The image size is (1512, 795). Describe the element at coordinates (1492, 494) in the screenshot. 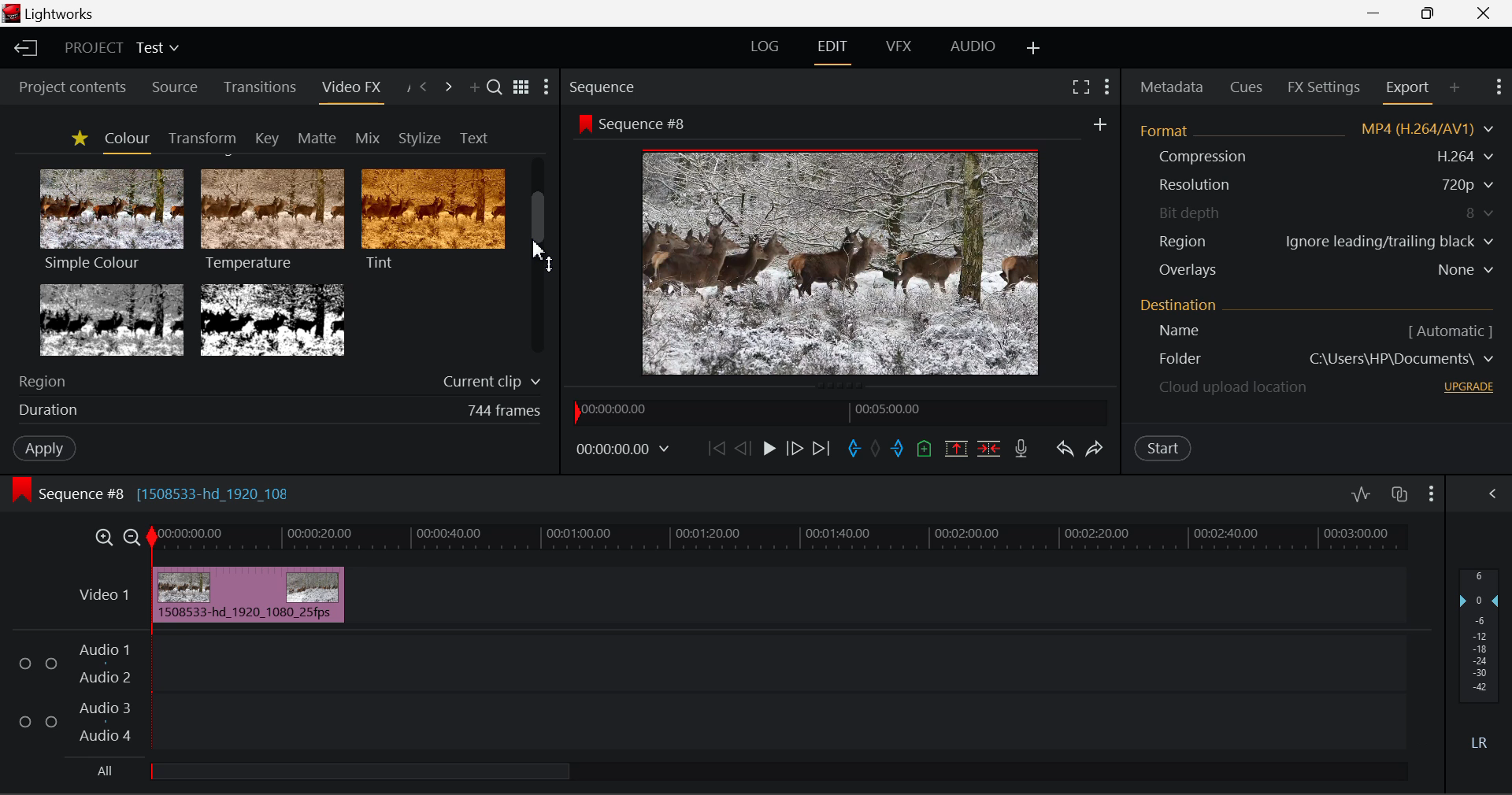

I see `Show Settings` at that location.